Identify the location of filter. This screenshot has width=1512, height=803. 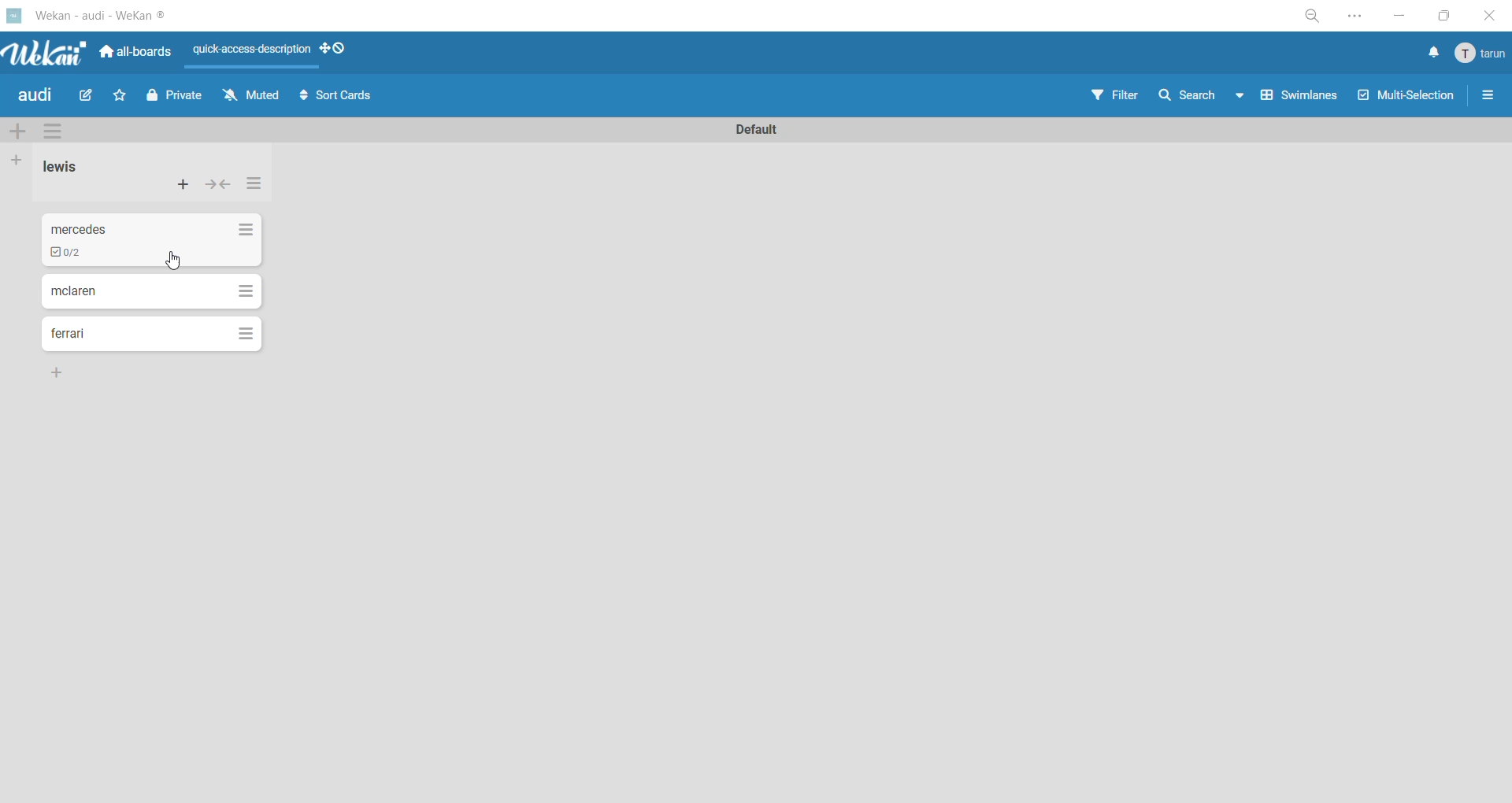
(1115, 96).